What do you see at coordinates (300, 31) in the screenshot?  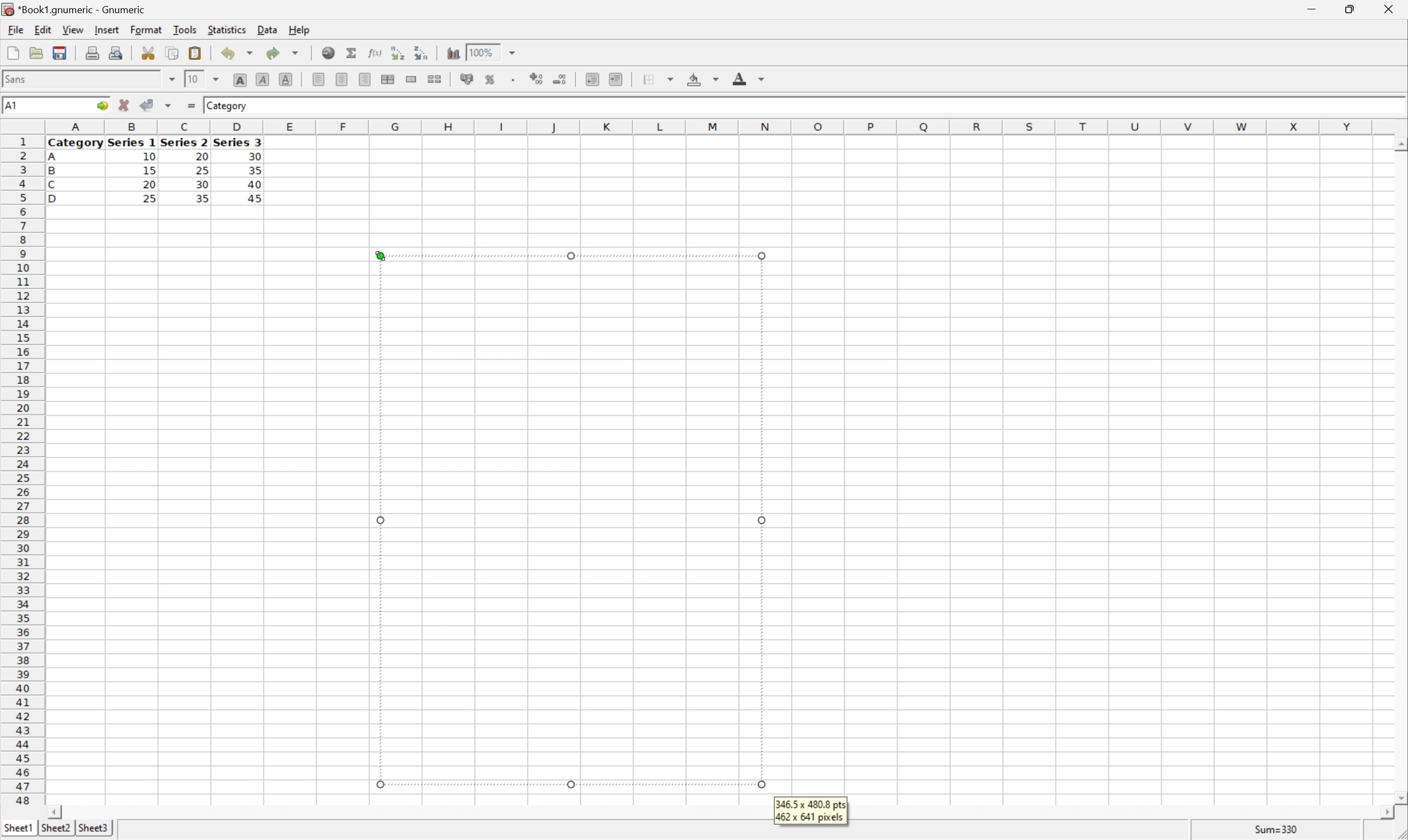 I see `Help` at bounding box center [300, 31].